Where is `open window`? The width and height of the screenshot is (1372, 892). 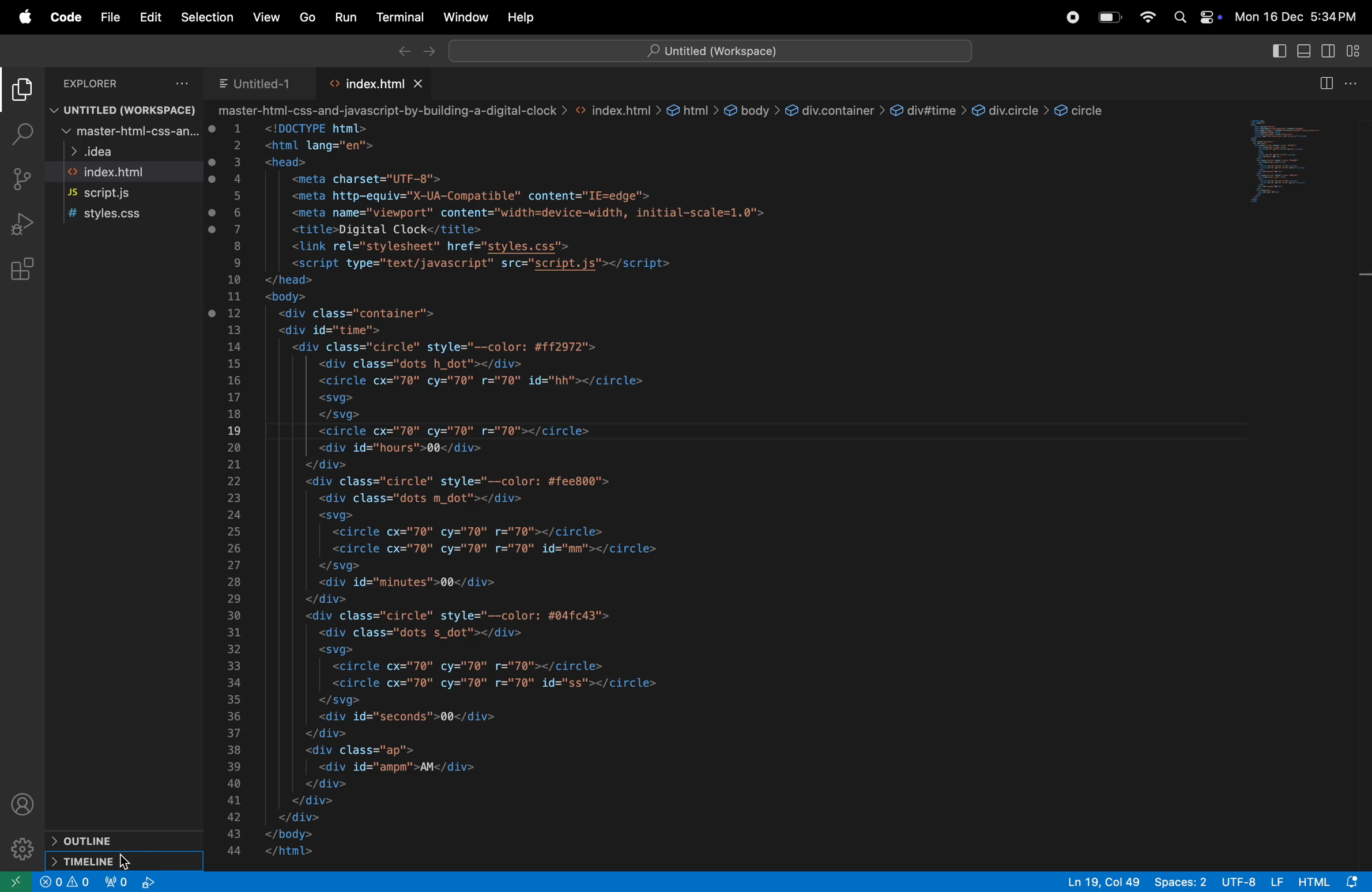 open window is located at coordinates (16, 881).